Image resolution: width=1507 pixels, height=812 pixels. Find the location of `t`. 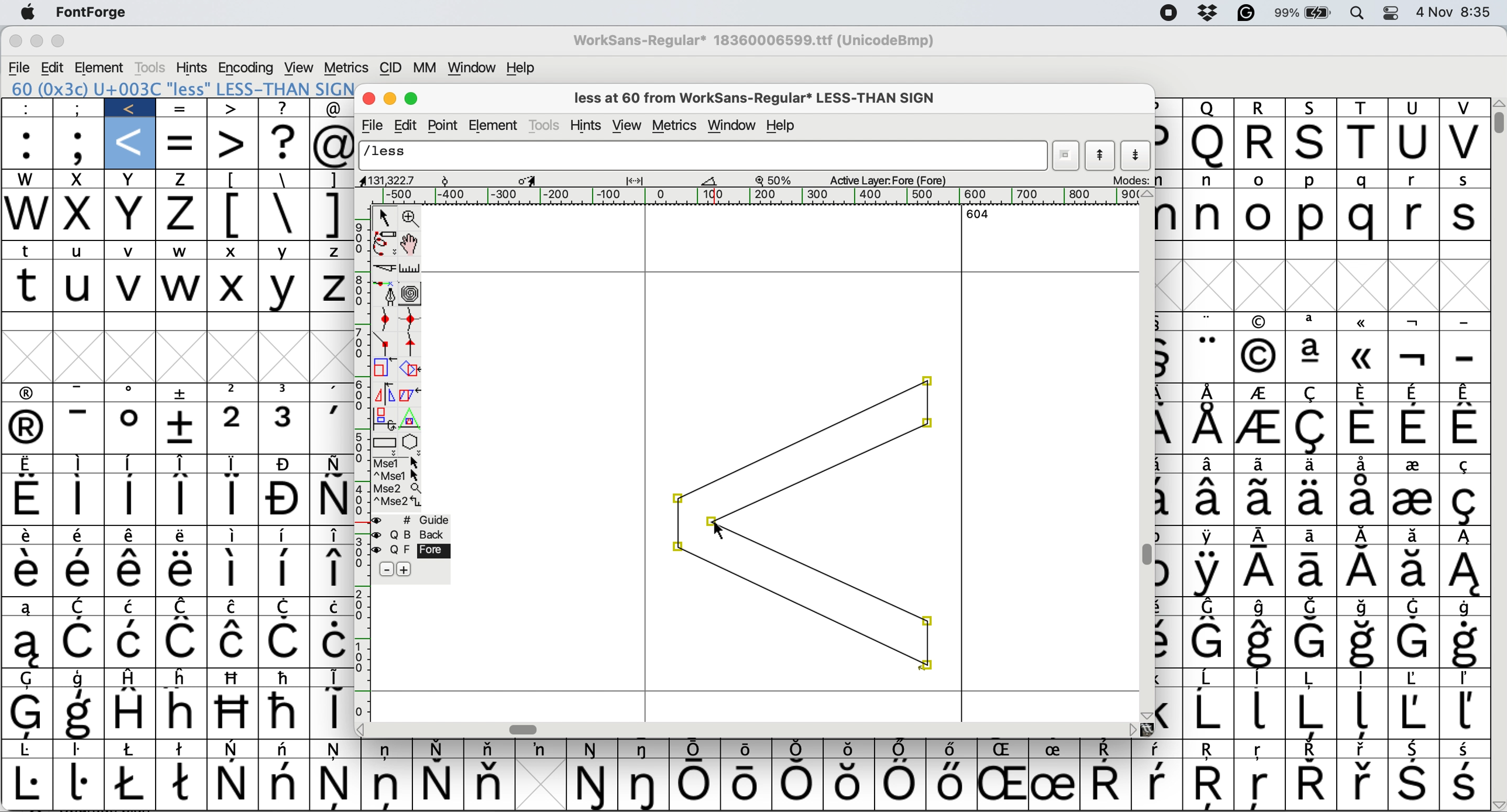

t is located at coordinates (32, 252).